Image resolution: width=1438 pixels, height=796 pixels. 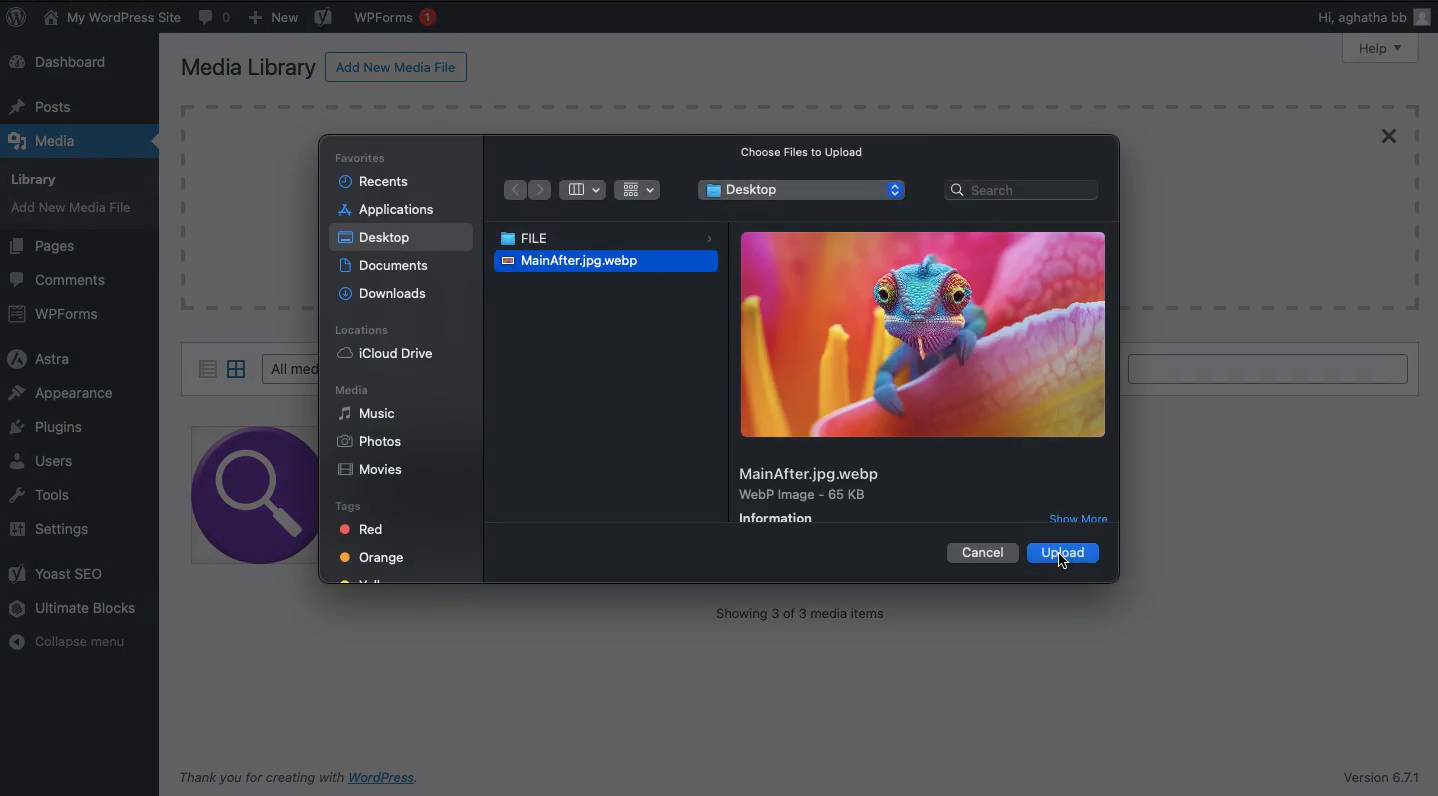 I want to click on Phots, so click(x=372, y=442).